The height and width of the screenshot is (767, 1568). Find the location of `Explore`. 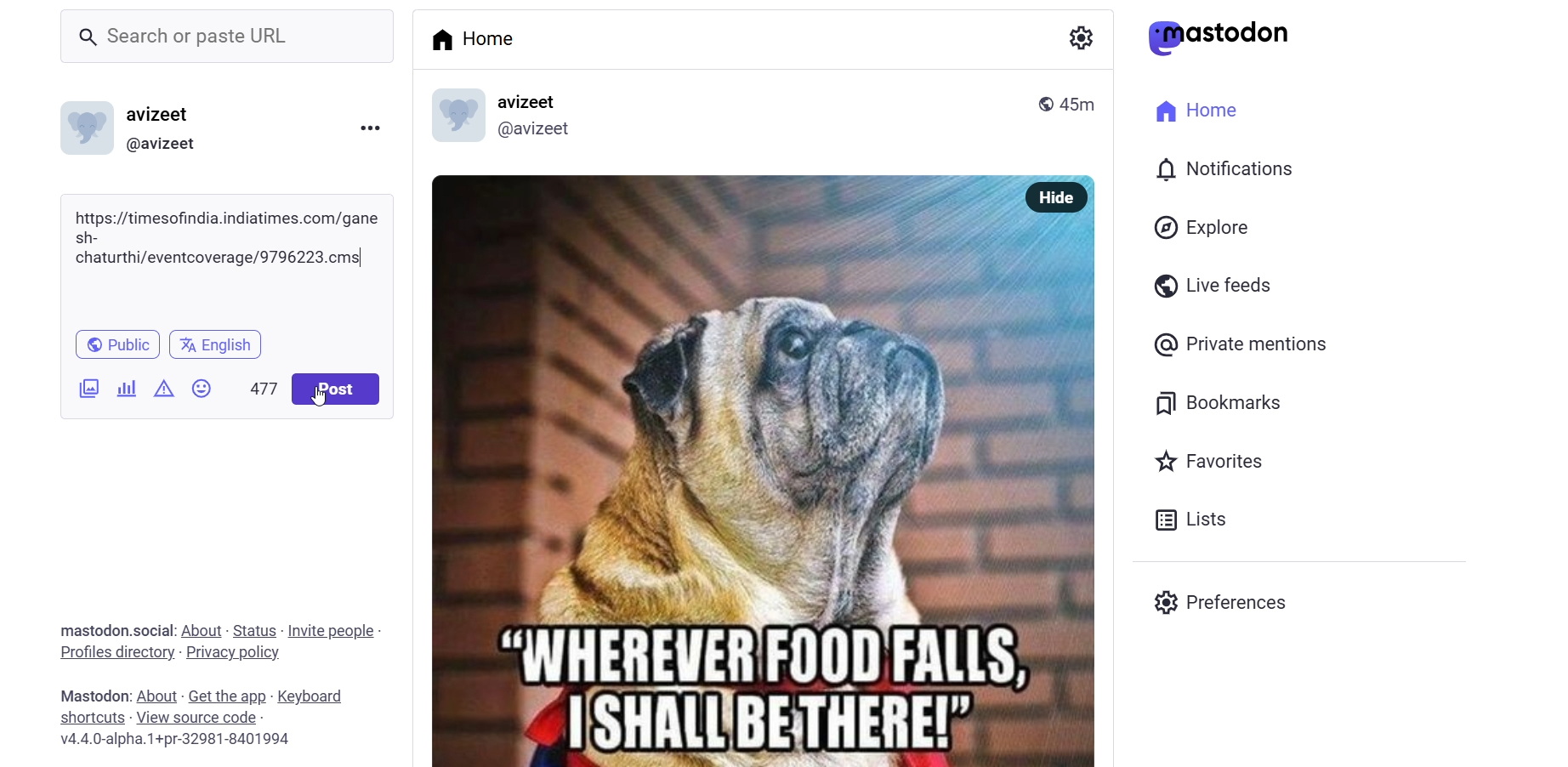

Explore is located at coordinates (1243, 228).